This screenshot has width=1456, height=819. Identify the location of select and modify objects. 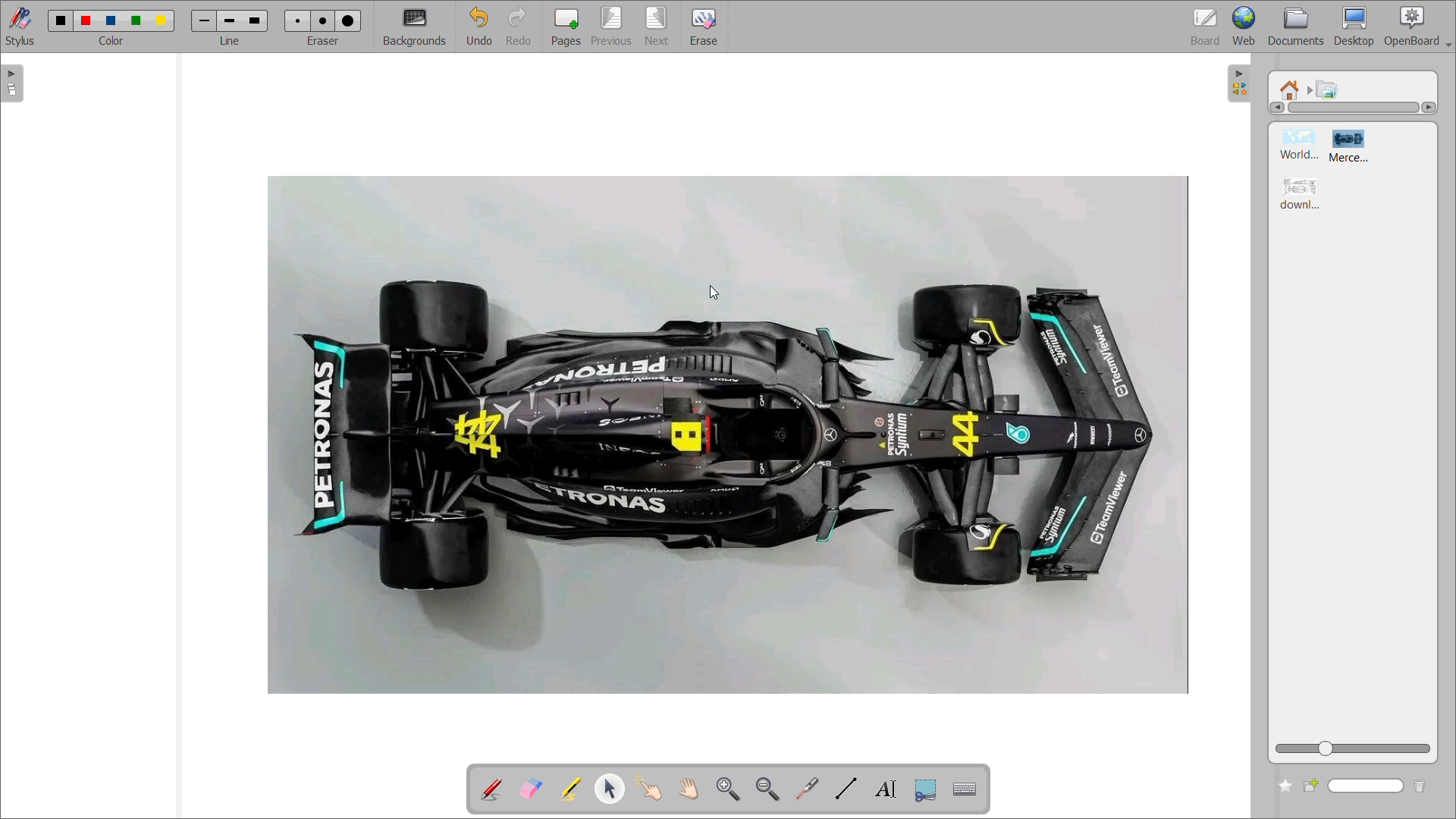
(613, 789).